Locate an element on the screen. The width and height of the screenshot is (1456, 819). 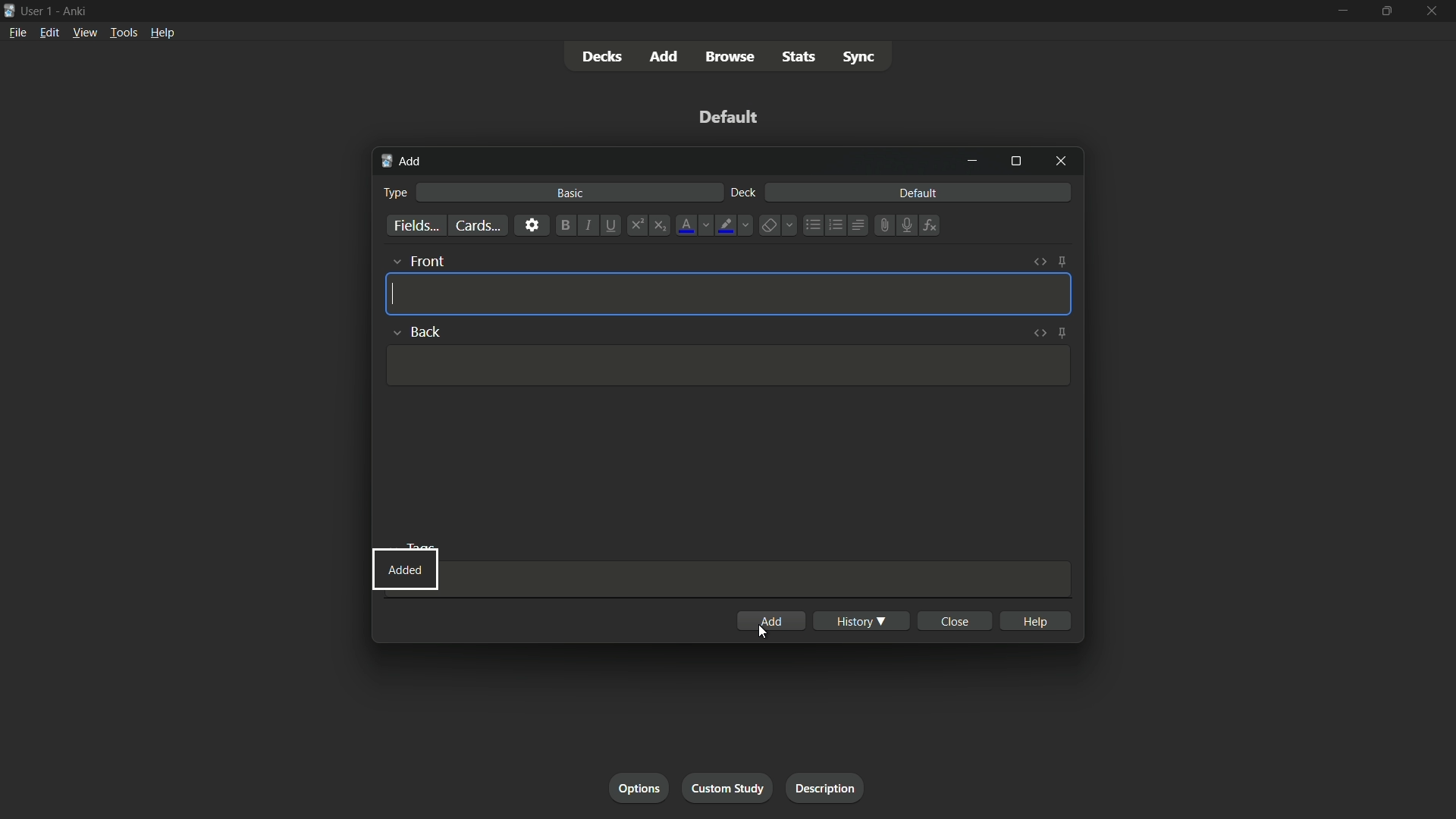
cursor is located at coordinates (764, 633).